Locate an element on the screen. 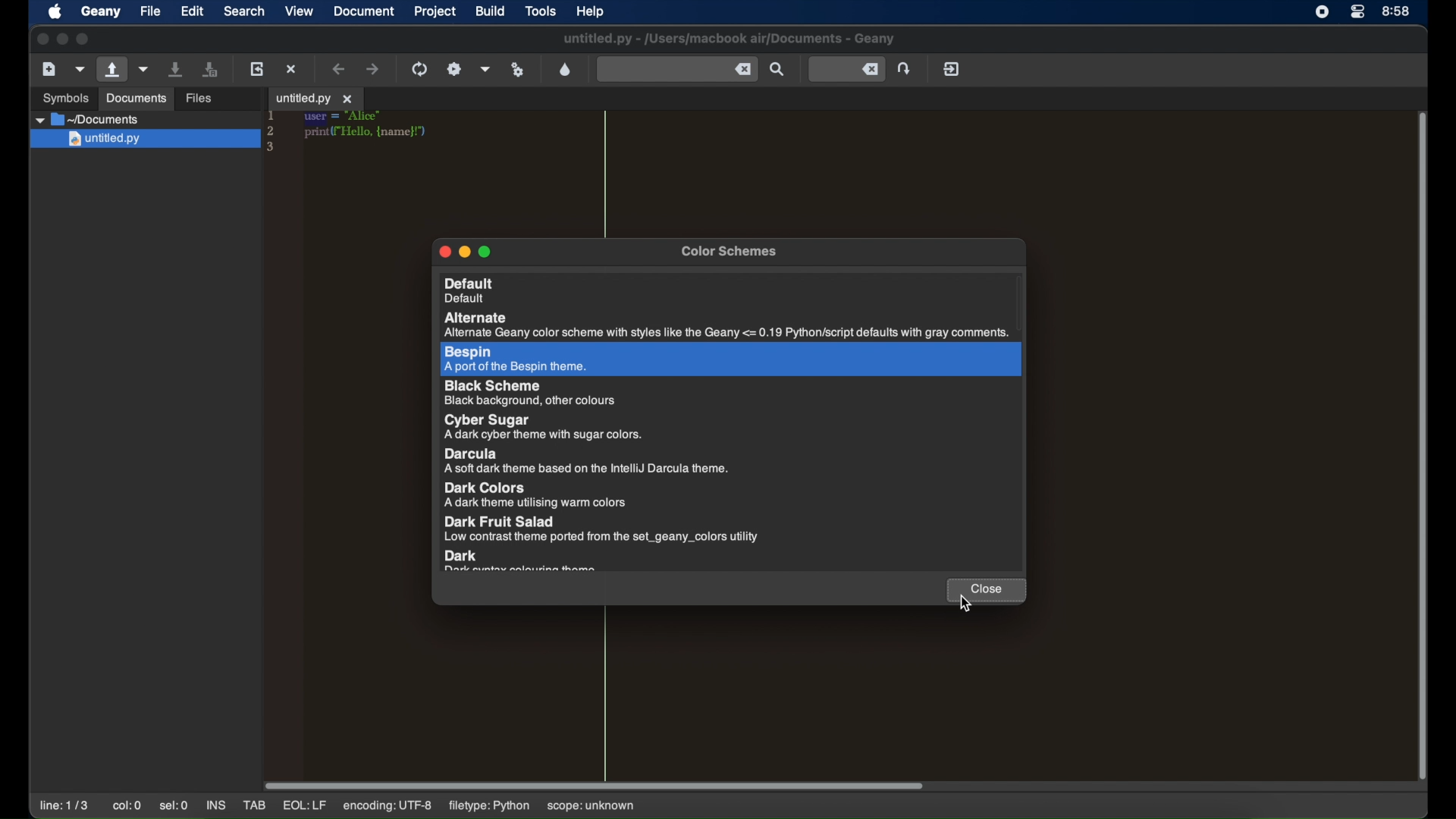 This screenshot has width=1456, height=819. scope: unknown is located at coordinates (591, 806).